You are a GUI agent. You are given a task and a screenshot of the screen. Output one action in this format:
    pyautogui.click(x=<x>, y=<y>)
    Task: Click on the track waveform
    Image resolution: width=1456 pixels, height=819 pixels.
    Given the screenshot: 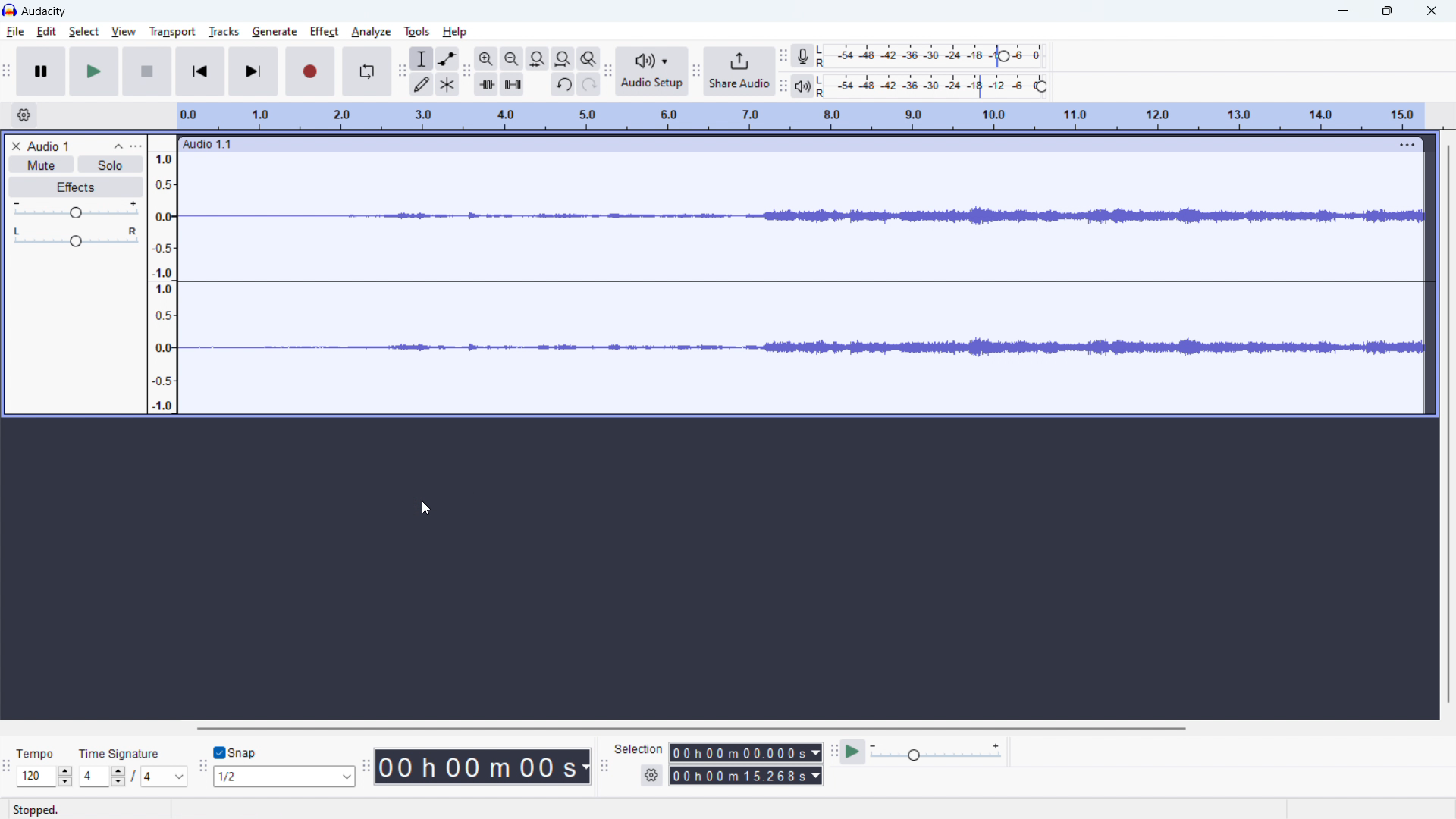 What is the action you would take?
    pyautogui.click(x=804, y=214)
    